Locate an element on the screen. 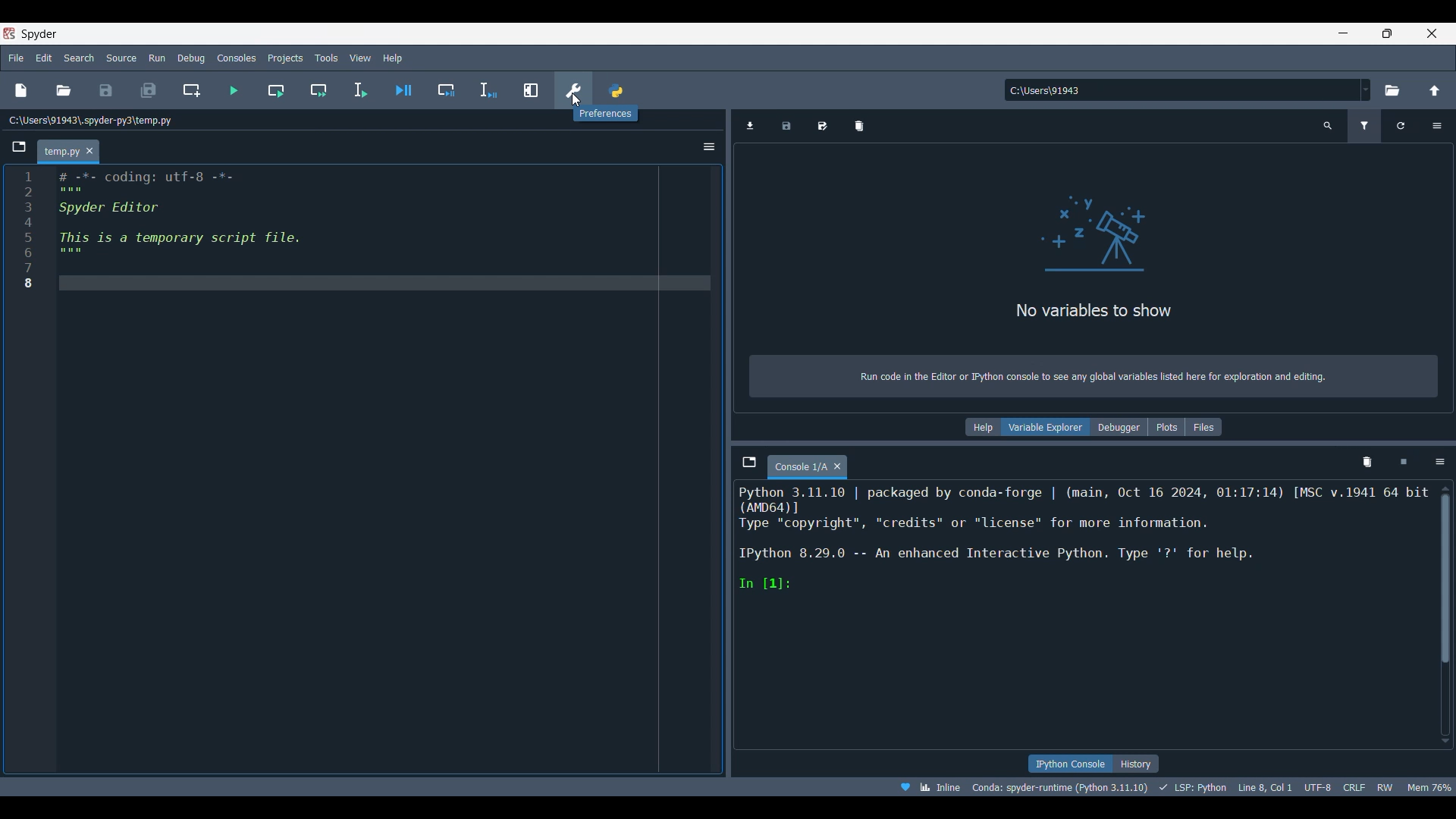 This screenshot has height=819, width=1456. Maximize current pane is located at coordinates (531, 90).